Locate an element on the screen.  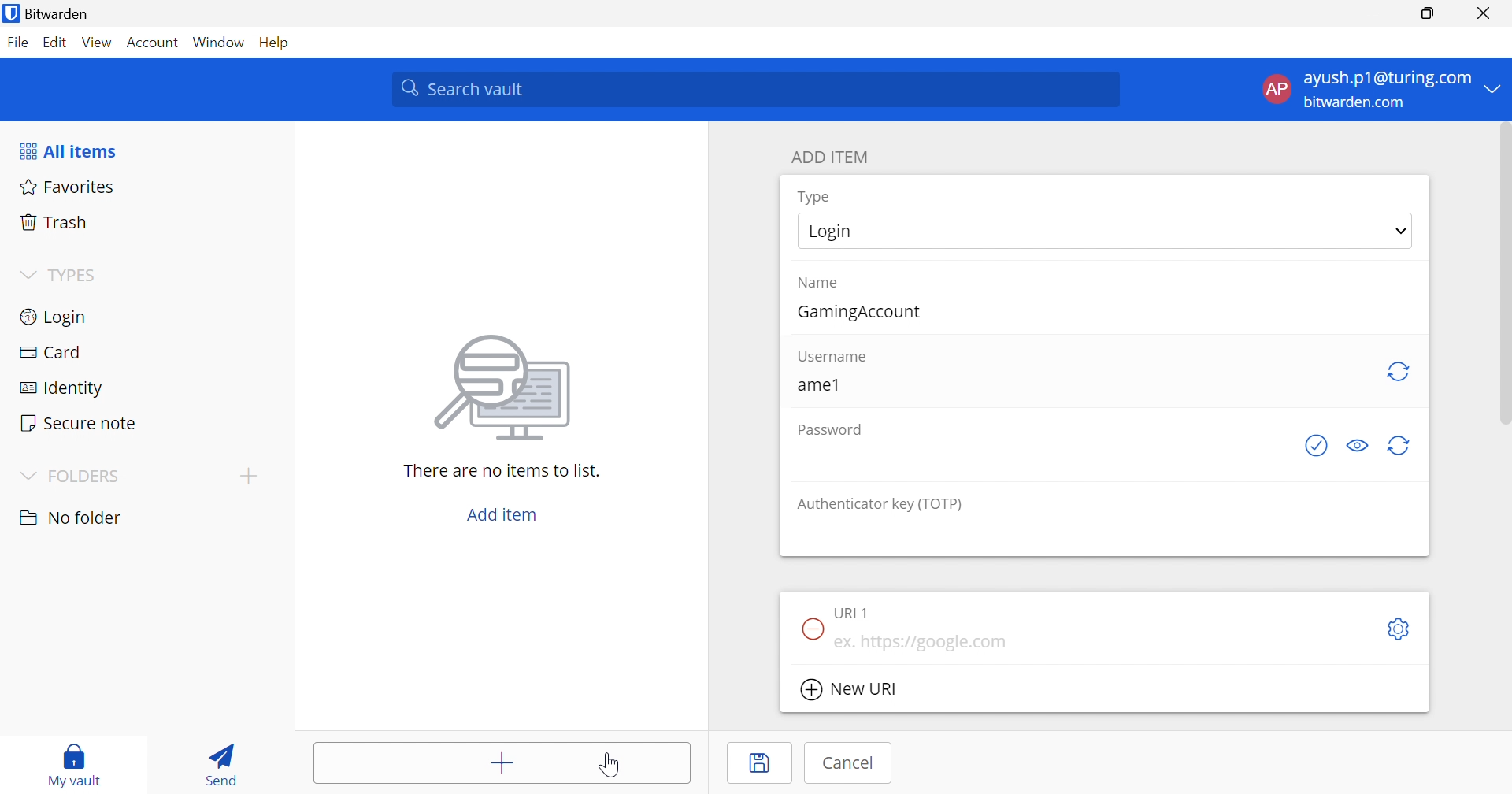
Image is located at coordinates (506, 387).